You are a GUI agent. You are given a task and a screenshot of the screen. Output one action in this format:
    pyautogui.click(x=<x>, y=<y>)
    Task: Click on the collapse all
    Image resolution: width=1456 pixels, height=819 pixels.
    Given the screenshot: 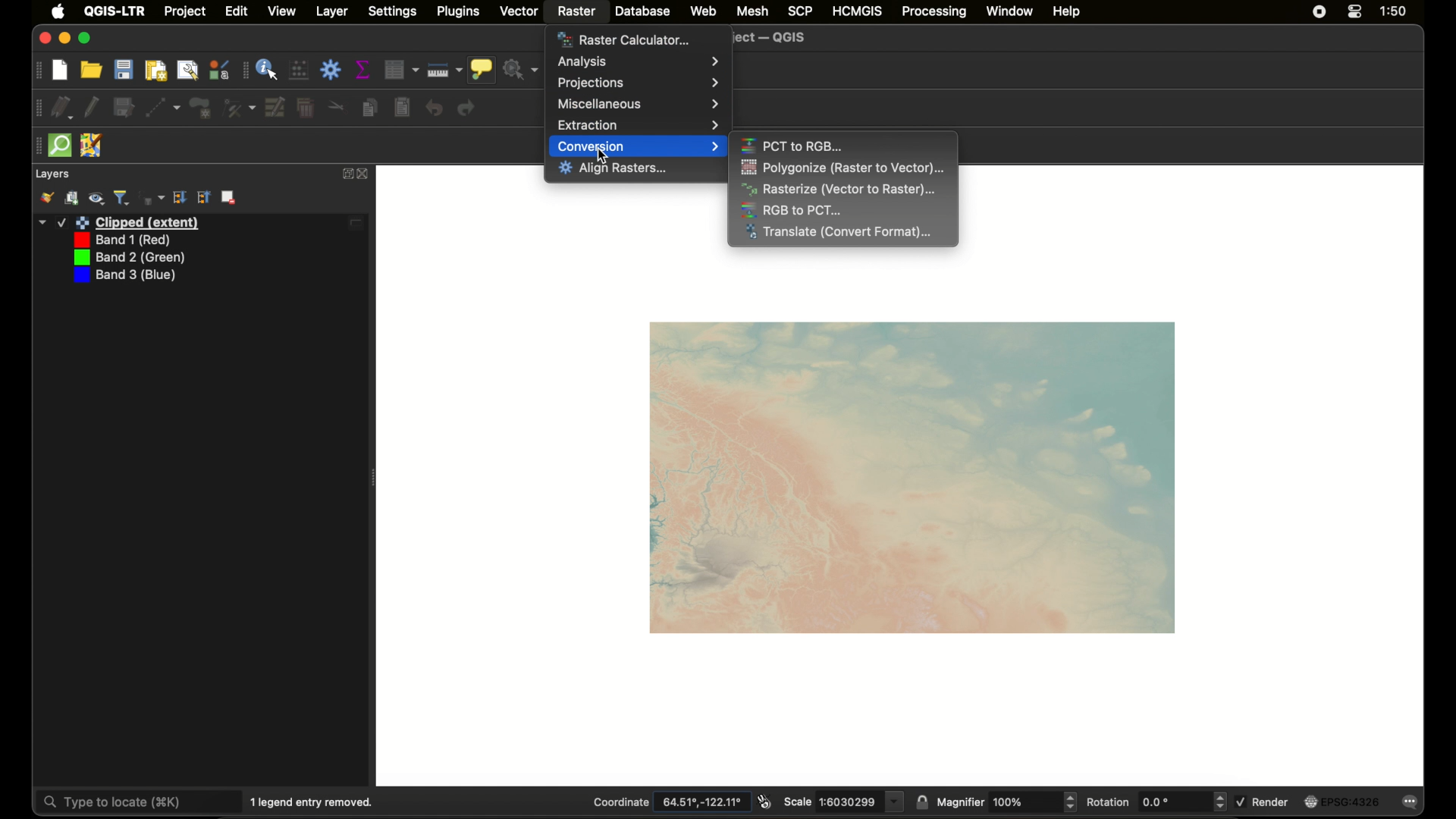 What is the action you would take?
    pyautogui.click(x=180, y=197)
    